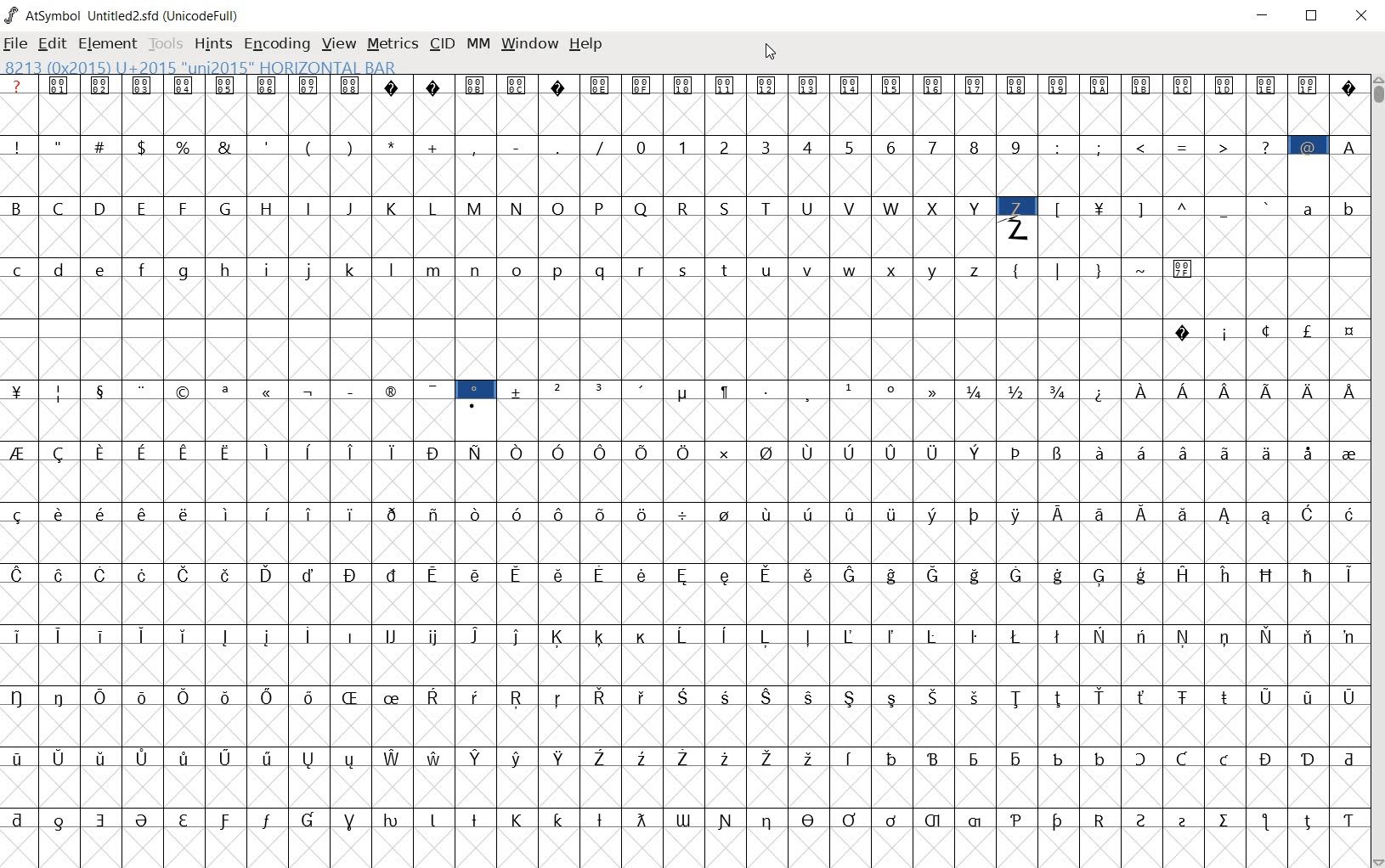 Image resolution: width=1385 pixels, height=868 pixels. Describe the element at coordinates (1363, 19) in the screenshot. I see `CLOSE` at that location.